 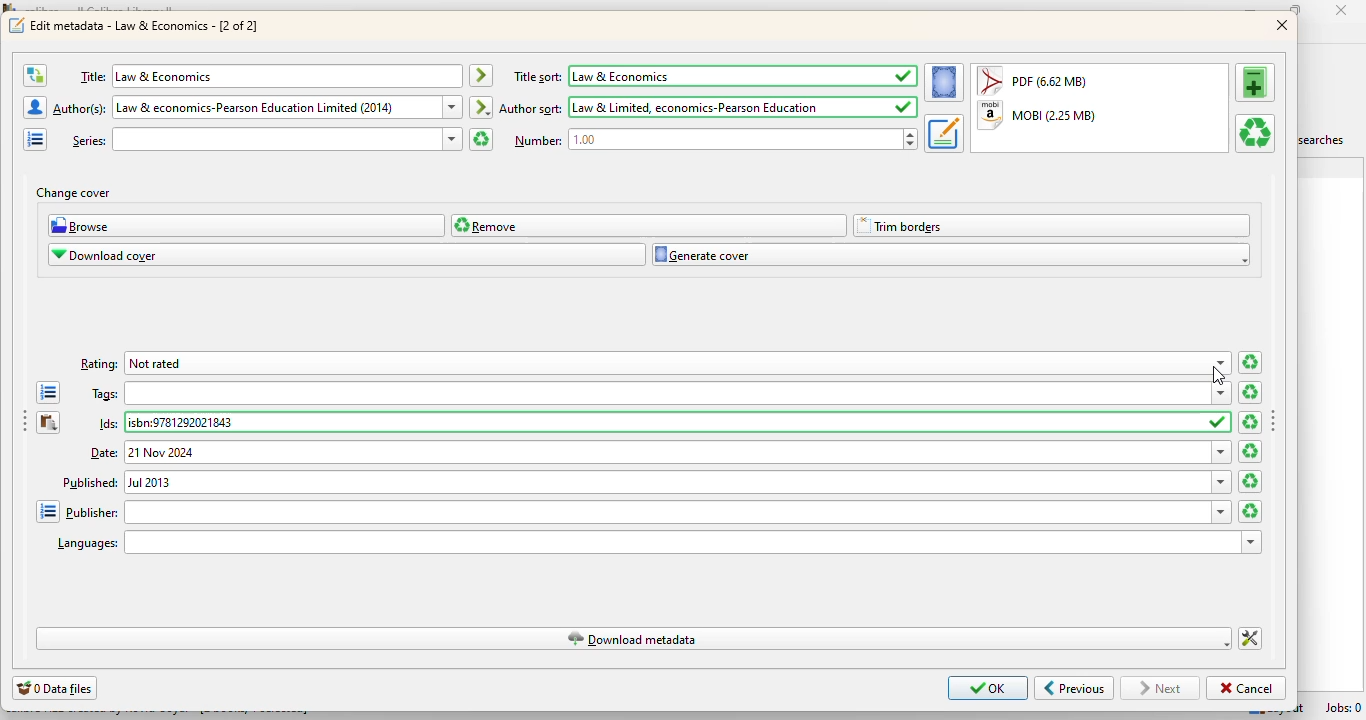 What do you see at coordinates (1254, 133) in the screenshot?
I see `remove the selected format from this book` at bounding box center [1254, 133].